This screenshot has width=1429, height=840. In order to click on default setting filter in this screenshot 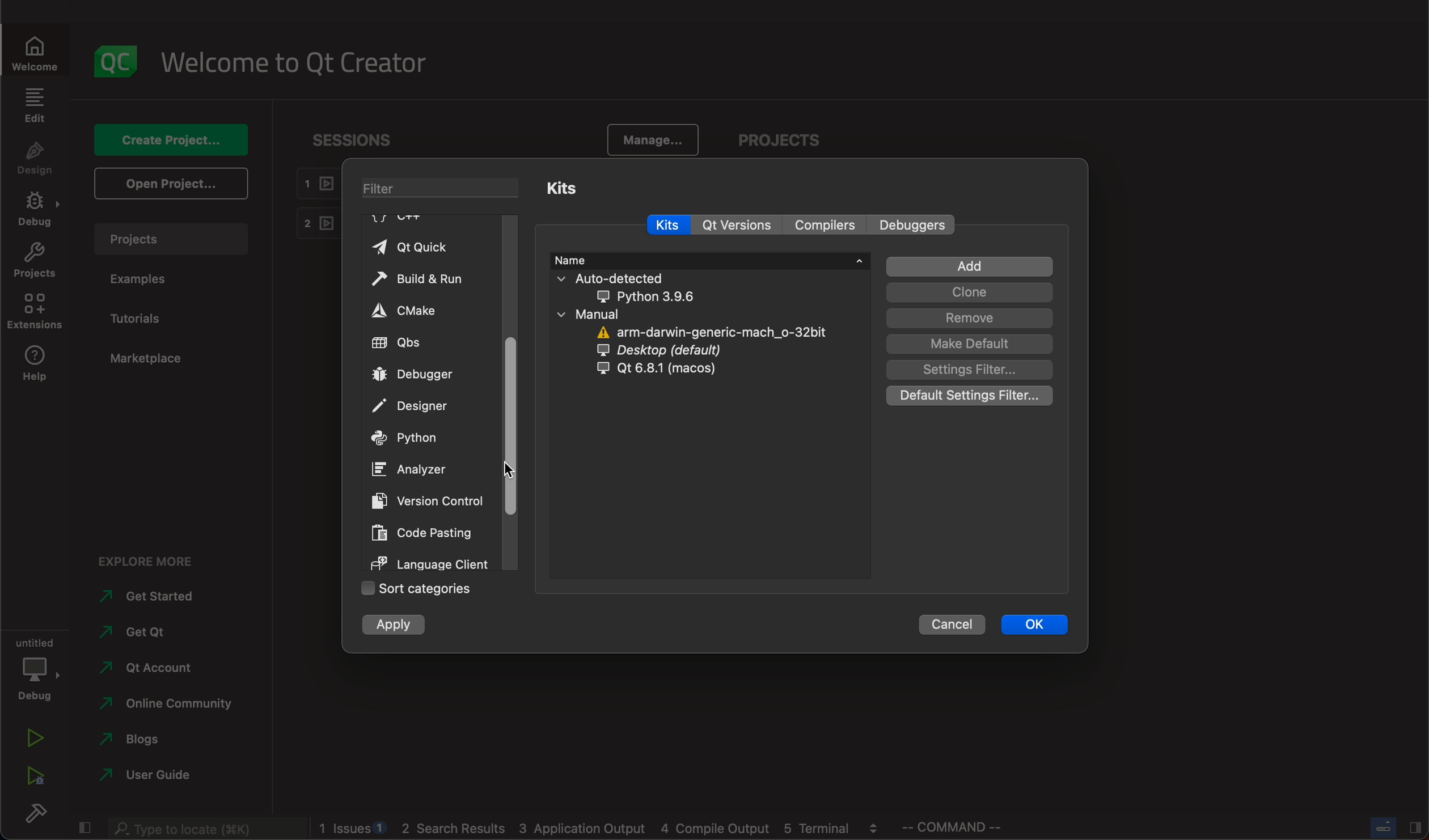, I will do `click(969, 397)`.